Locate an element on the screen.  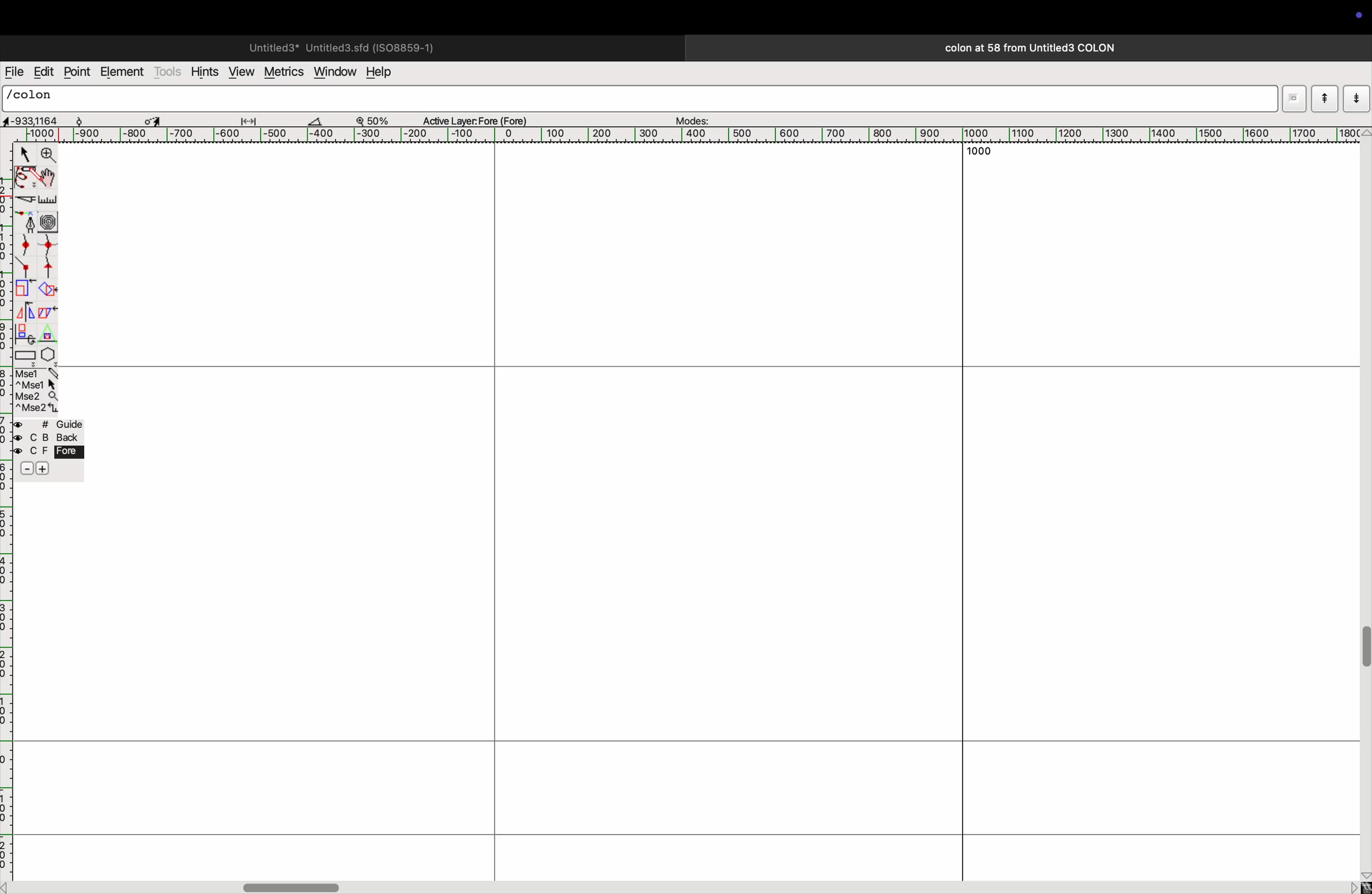
minimize is located at coordinates (24, 290).